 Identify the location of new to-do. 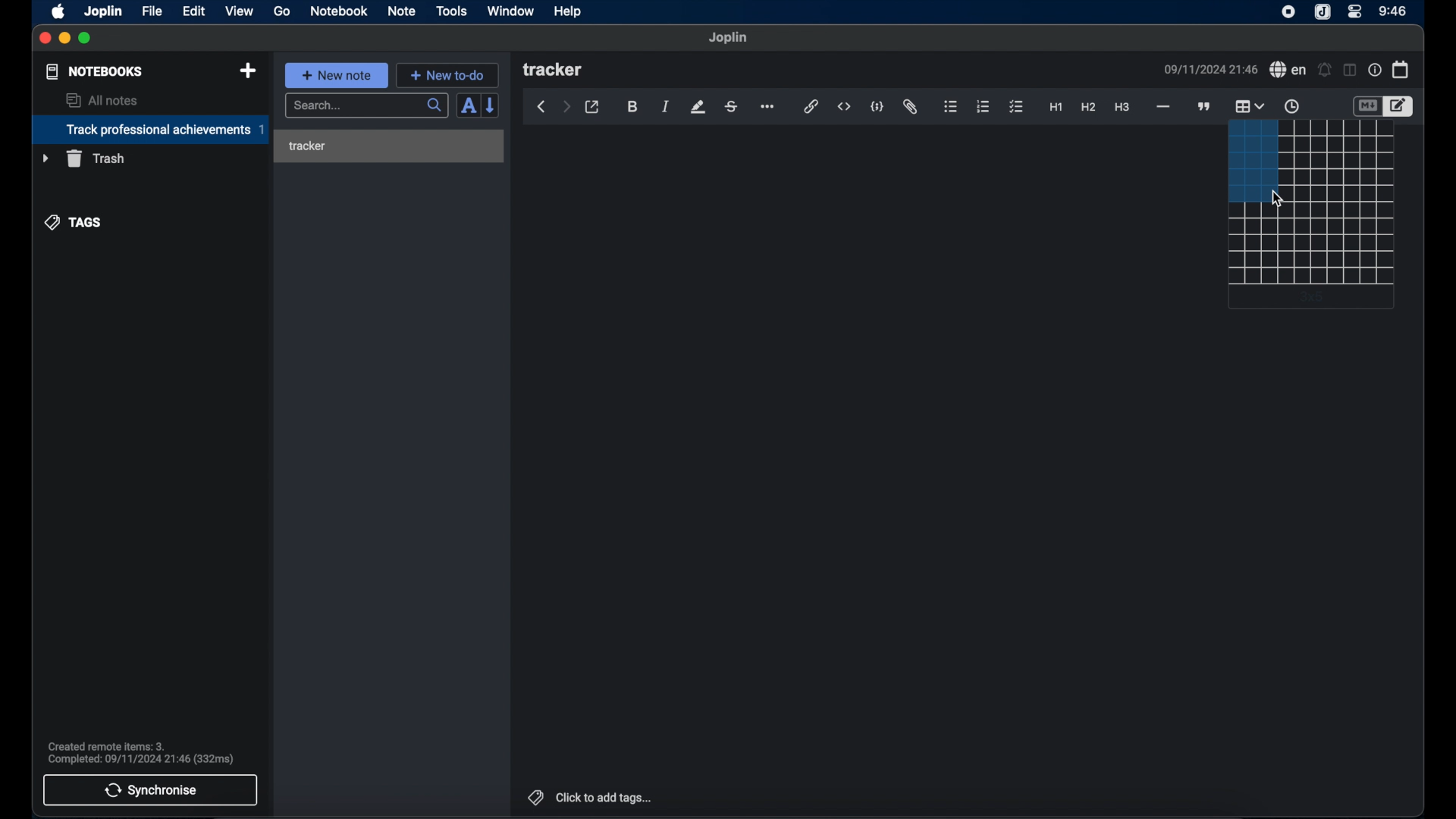
(447, 75).